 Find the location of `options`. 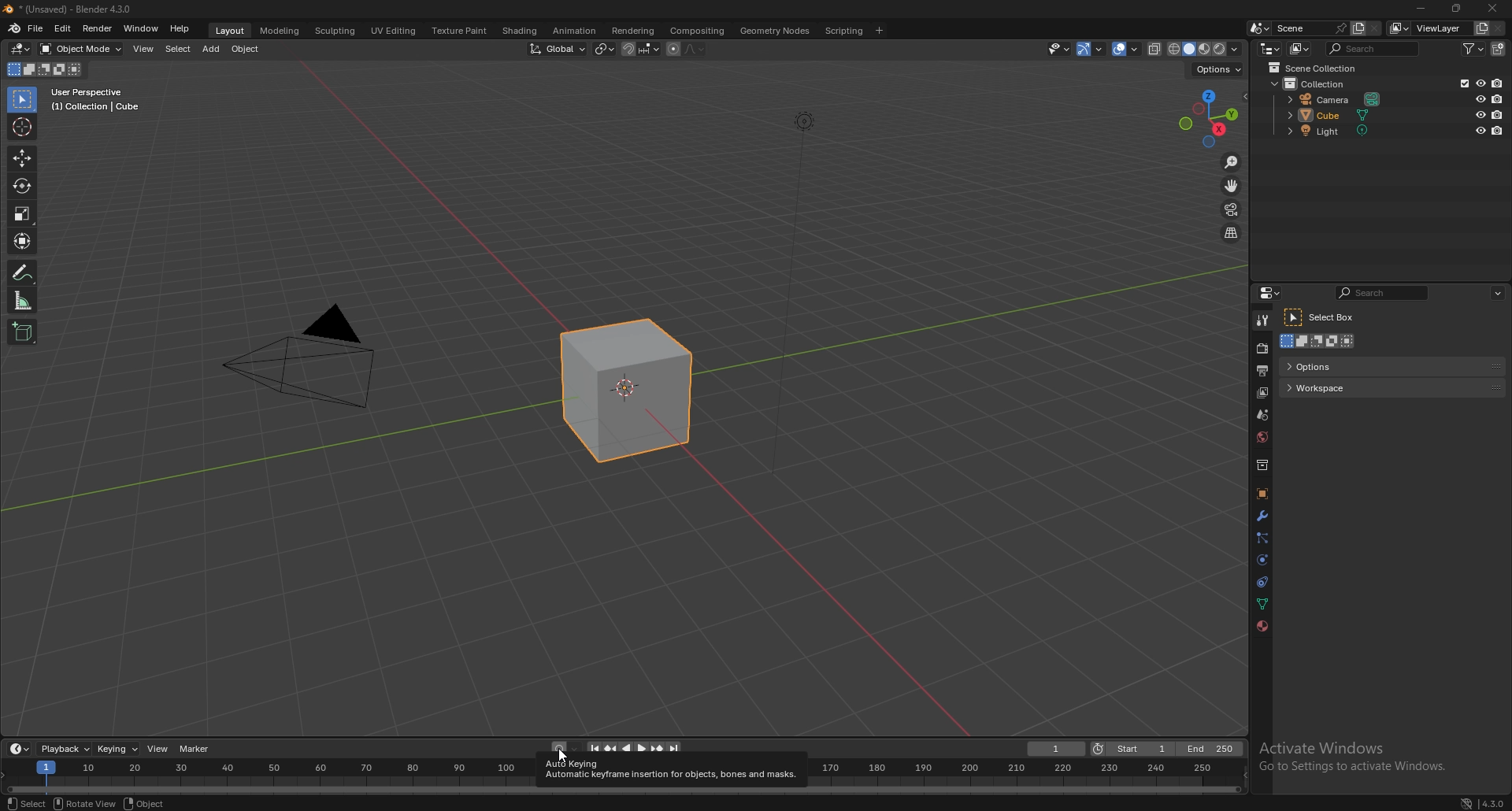

options is located at coordinates (1499, 293).